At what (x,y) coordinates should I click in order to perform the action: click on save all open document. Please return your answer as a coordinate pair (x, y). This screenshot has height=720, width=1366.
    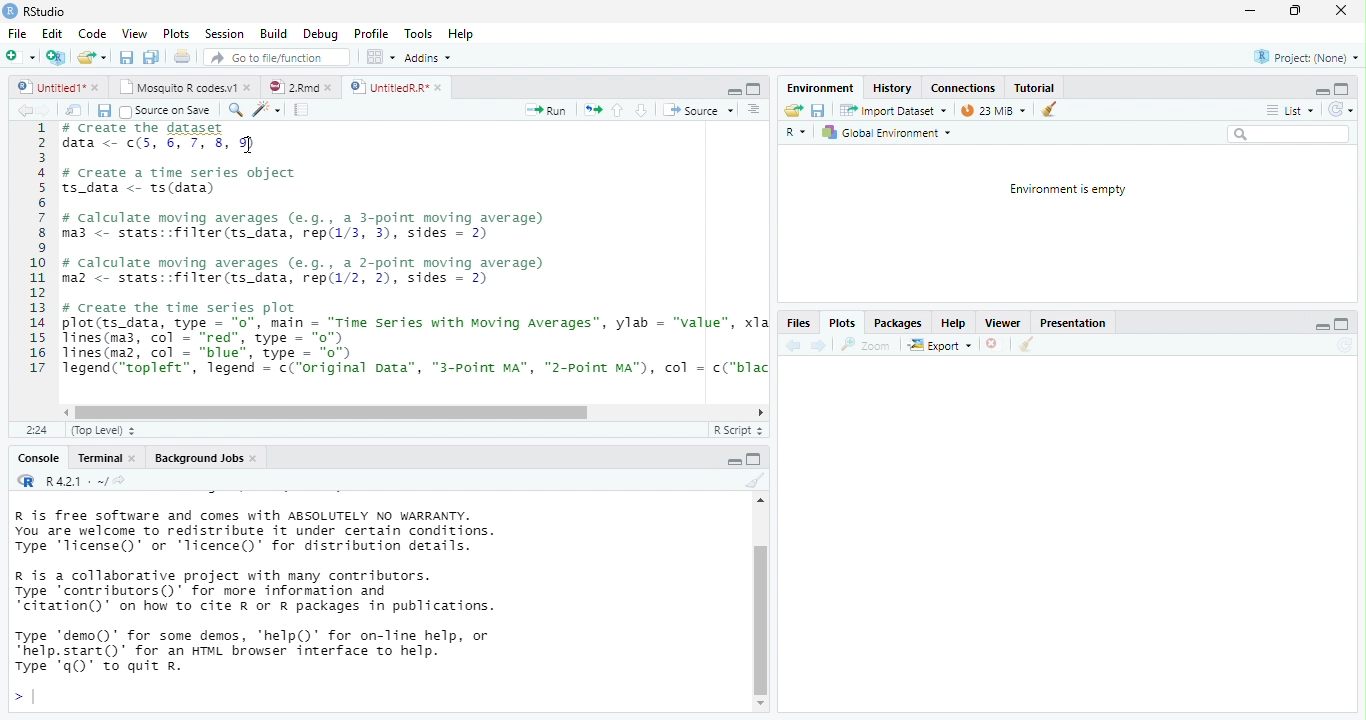
    Looking at the image, I should click on (126, 57).